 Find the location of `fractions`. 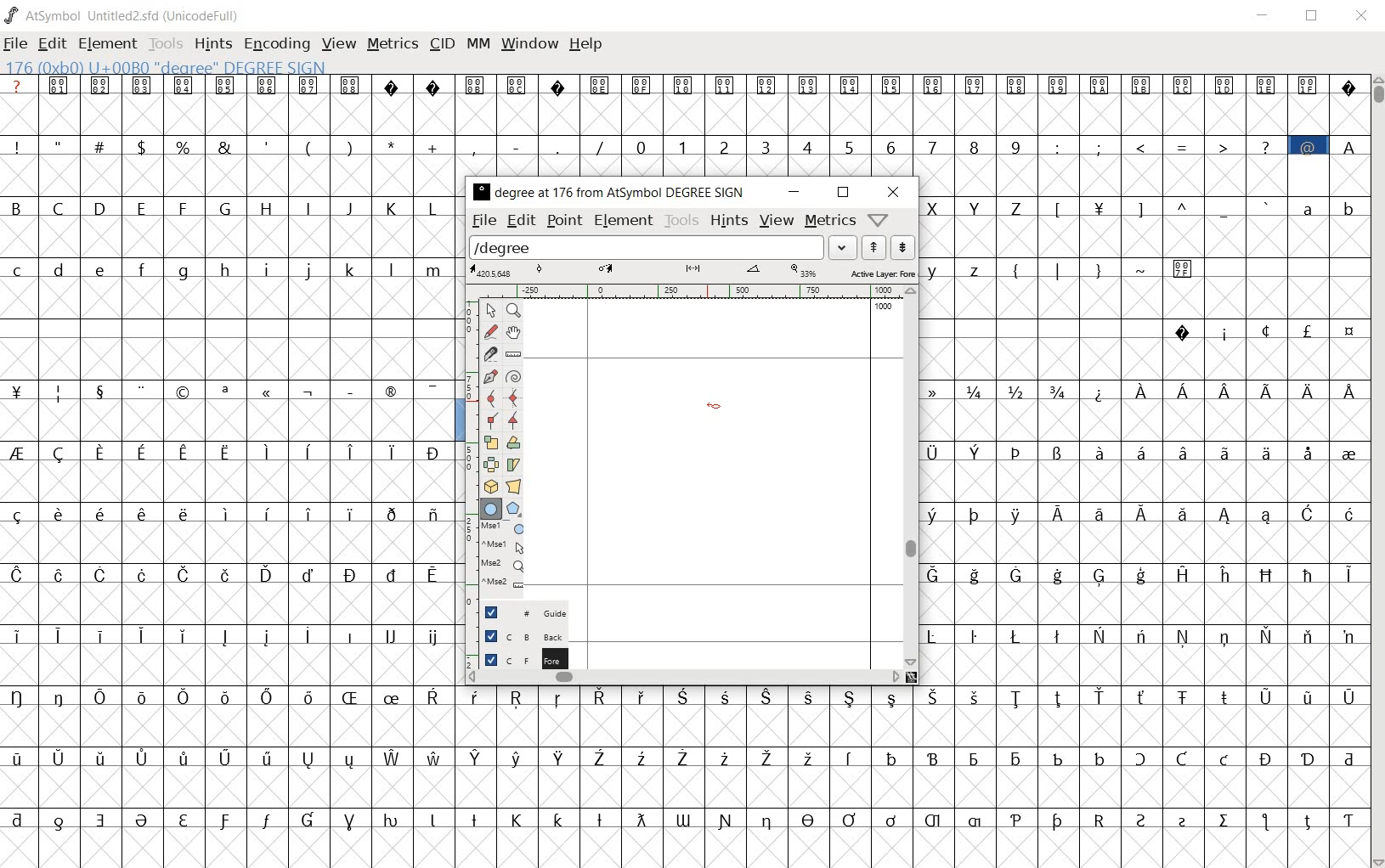

fractions is located at coordinates (1003, 389).